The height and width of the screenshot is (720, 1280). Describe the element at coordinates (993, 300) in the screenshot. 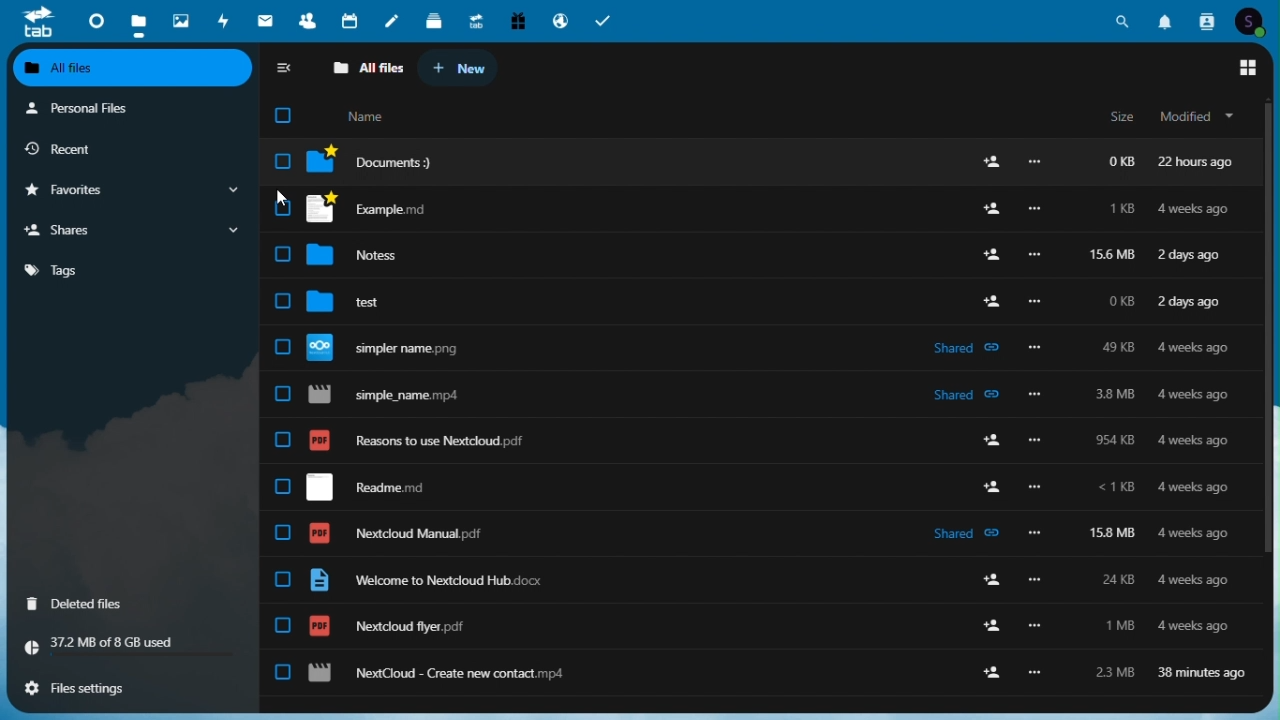

I see `add user` at that location.